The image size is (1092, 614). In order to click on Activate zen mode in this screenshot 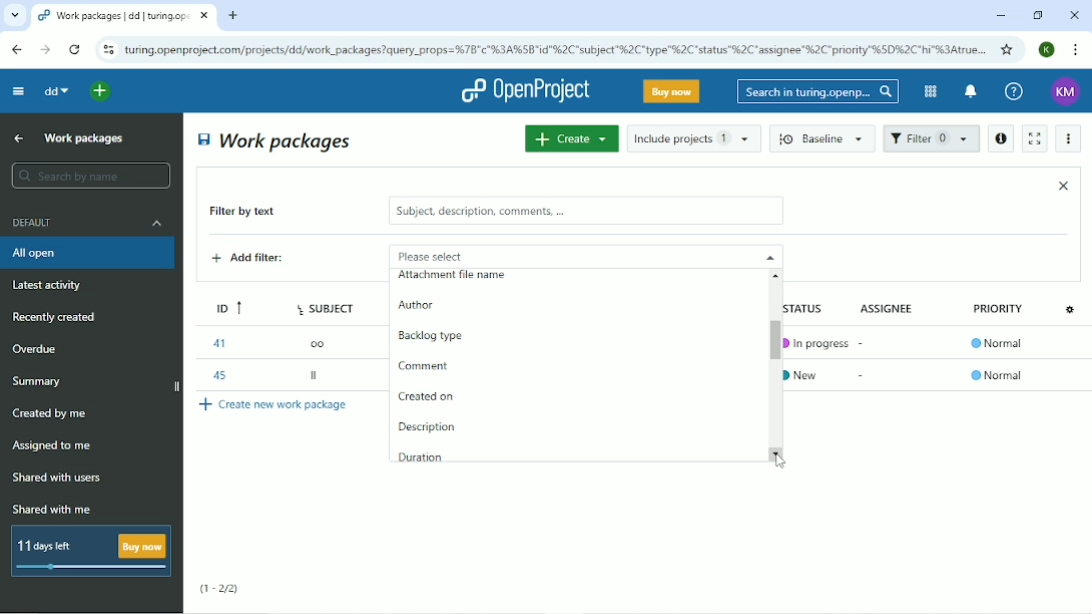, I will do `click(1033, 138)`.